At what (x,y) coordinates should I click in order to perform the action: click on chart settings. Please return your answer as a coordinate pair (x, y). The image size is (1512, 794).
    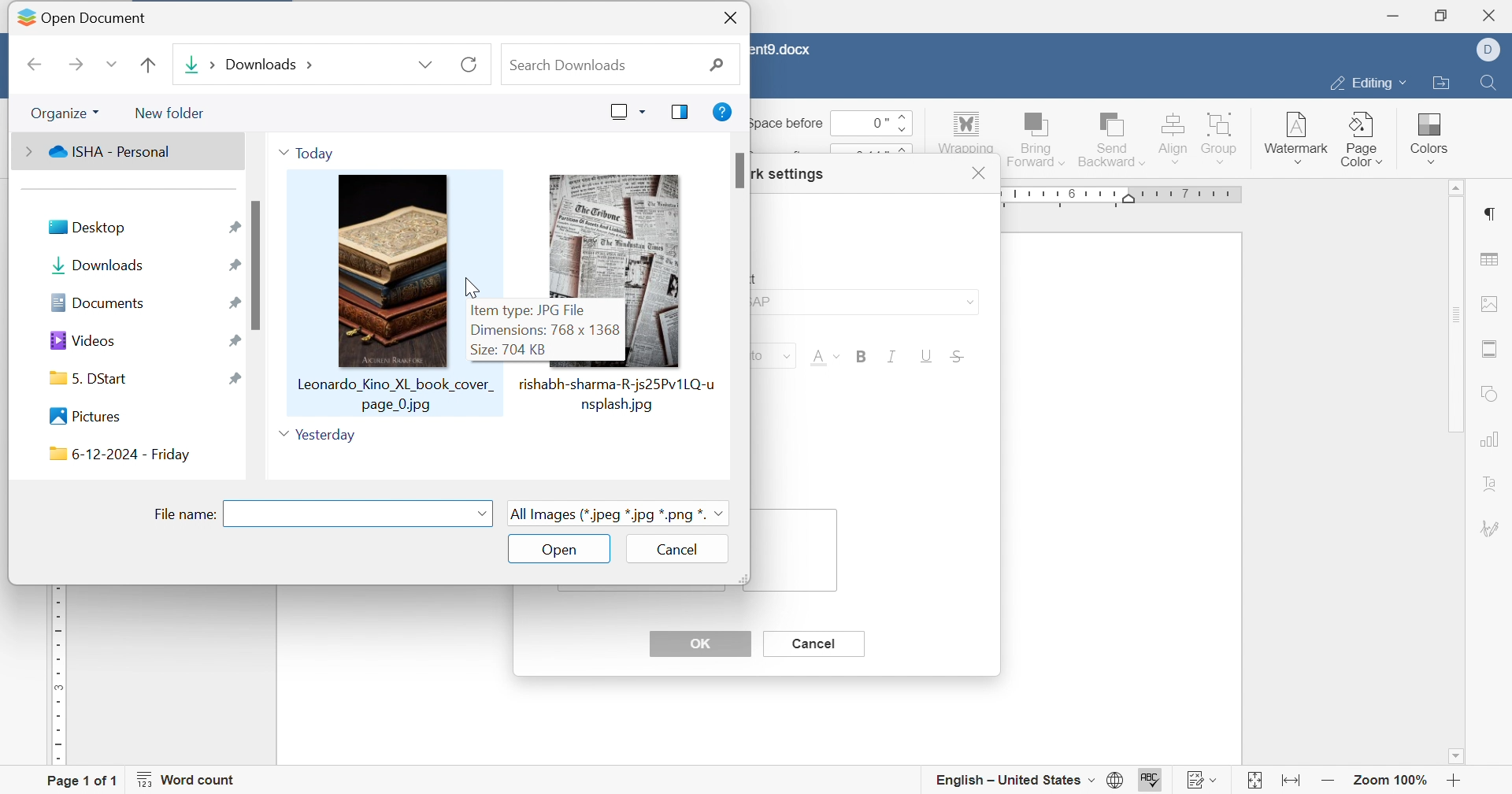
    Looking at the image, I should click on (1489, 439).